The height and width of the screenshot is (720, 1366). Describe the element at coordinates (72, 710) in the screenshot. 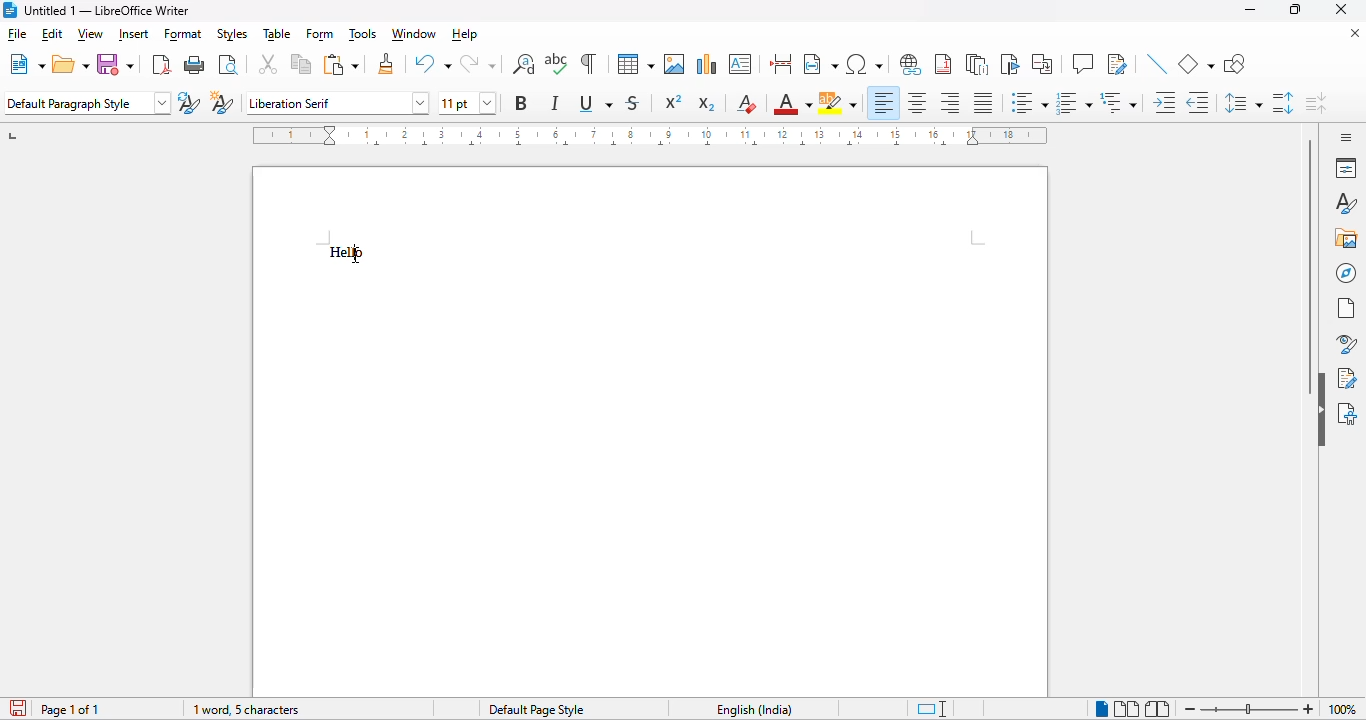

I see `page 1 of 1` at that location.